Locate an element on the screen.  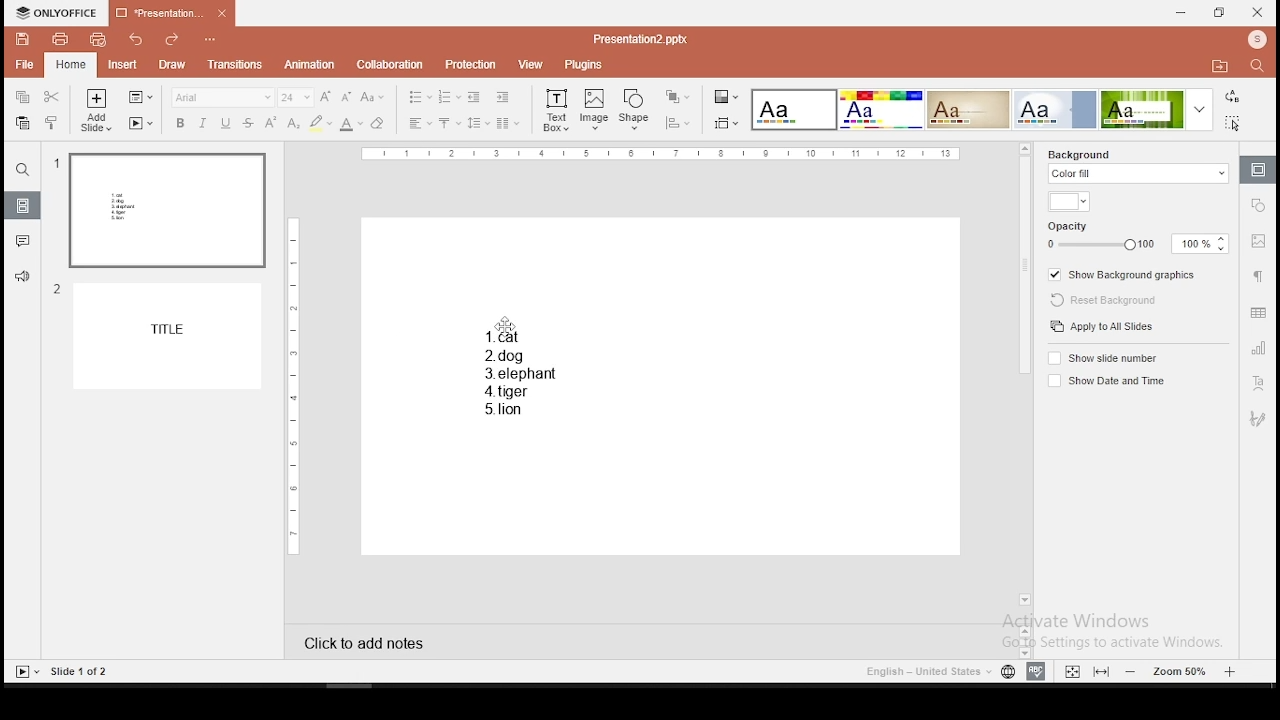
comments is located at coordinates (20, 242).